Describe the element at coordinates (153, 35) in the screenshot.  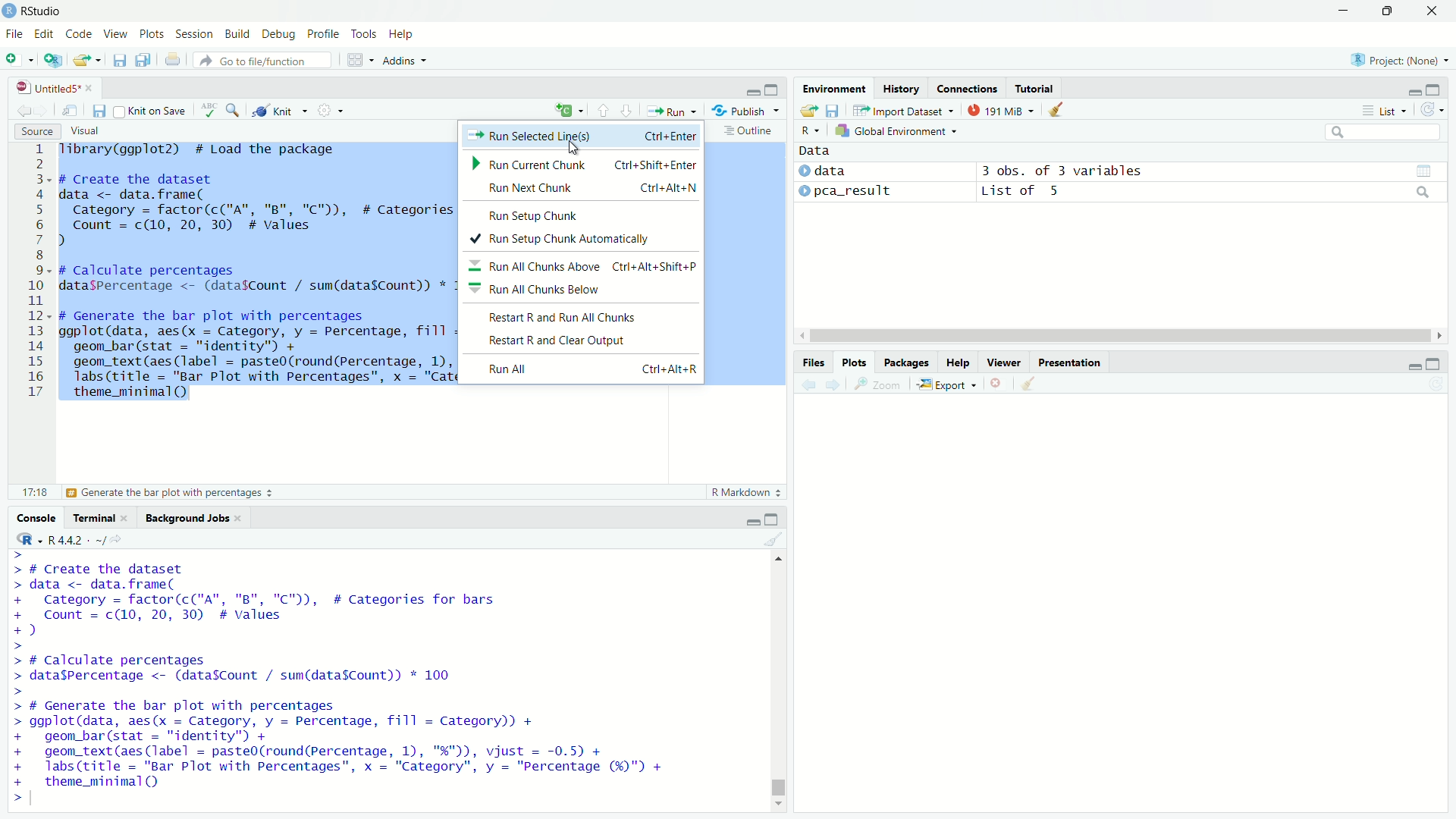
I see `plots` at that location.